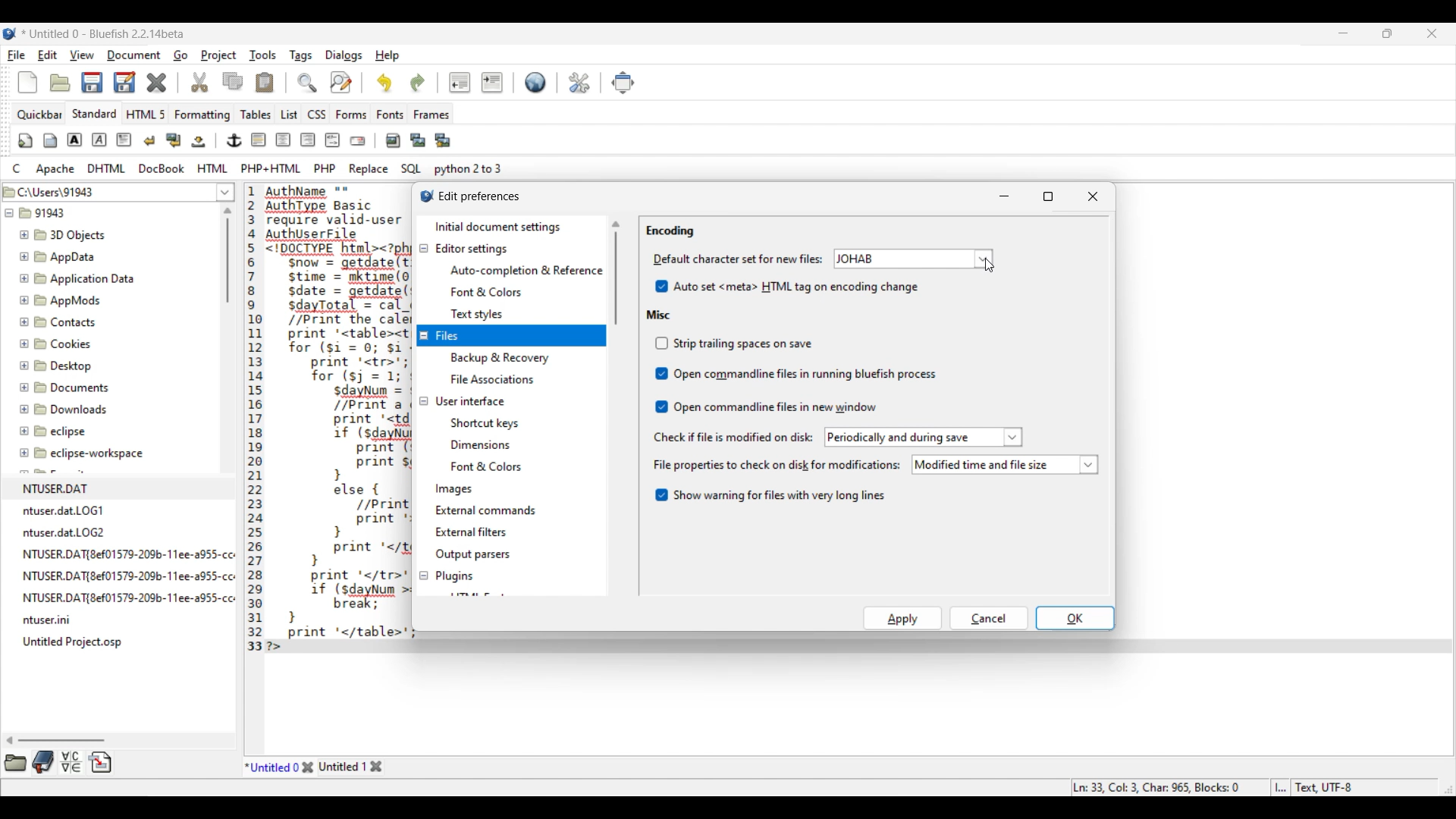 Image resolution: width=1456 pixels, height=819 pixels. I want to click on Delete , so click(157, 83).